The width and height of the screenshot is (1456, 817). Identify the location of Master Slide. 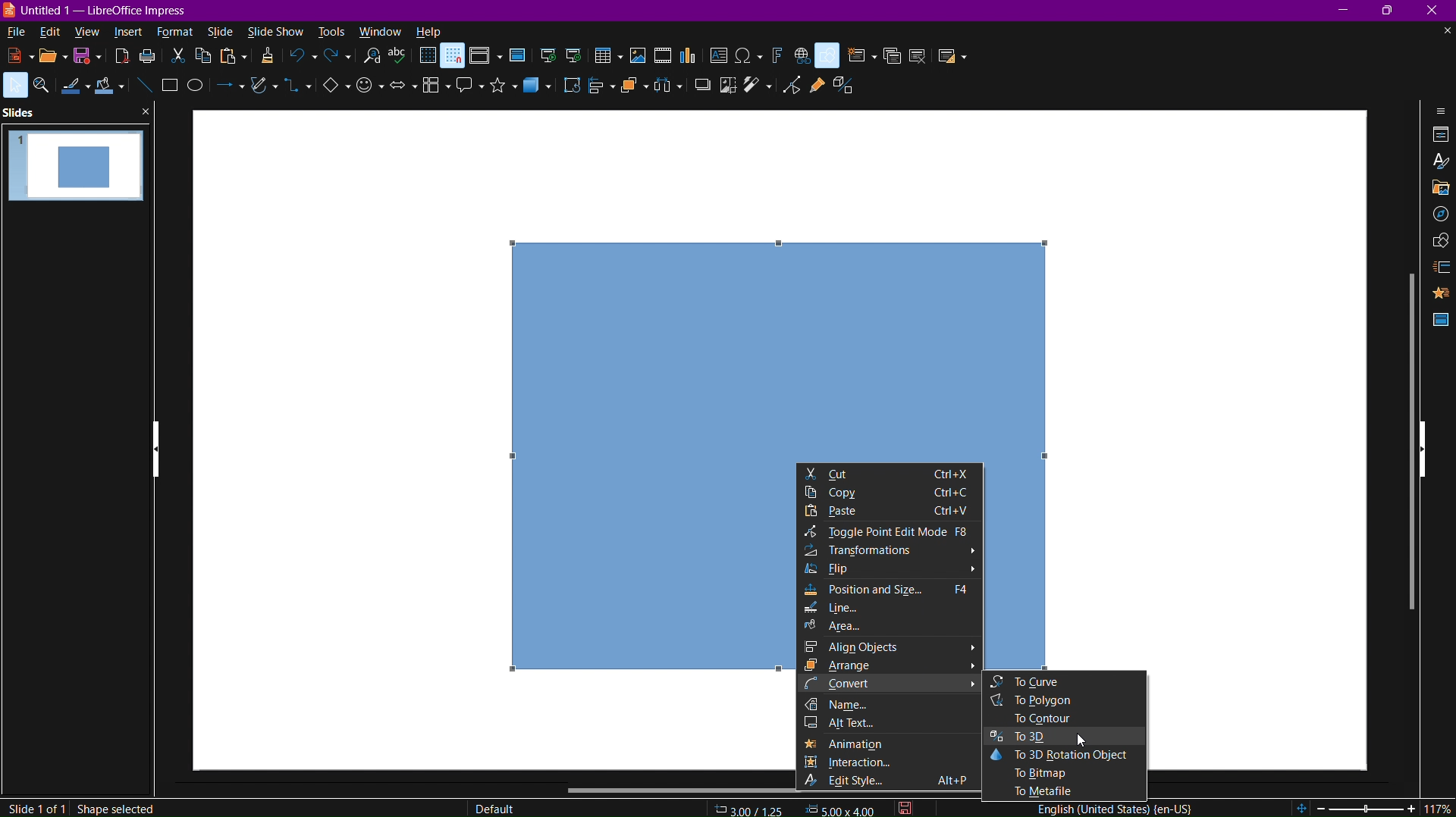
(1439, 320).